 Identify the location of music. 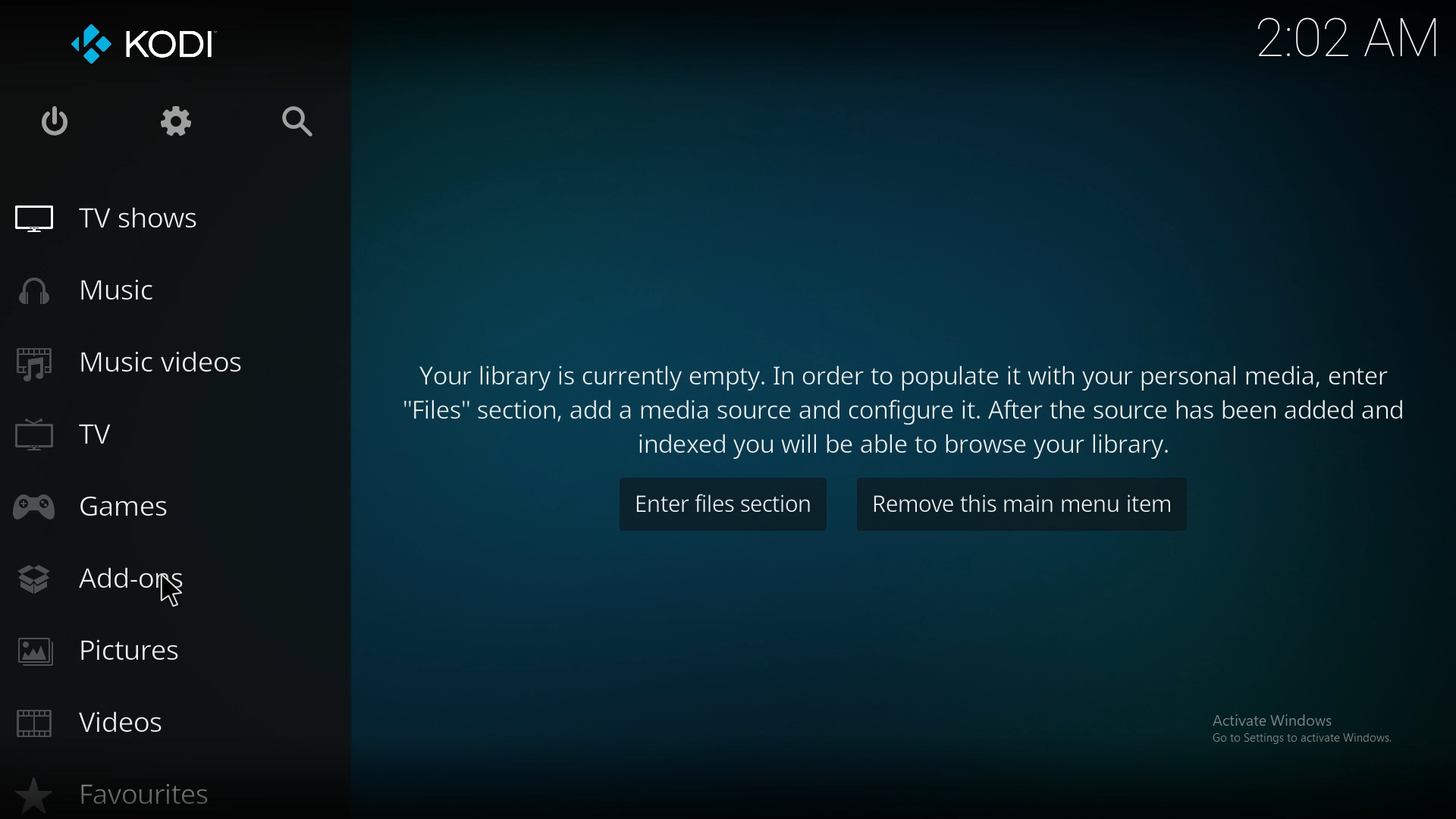
(129, 291).